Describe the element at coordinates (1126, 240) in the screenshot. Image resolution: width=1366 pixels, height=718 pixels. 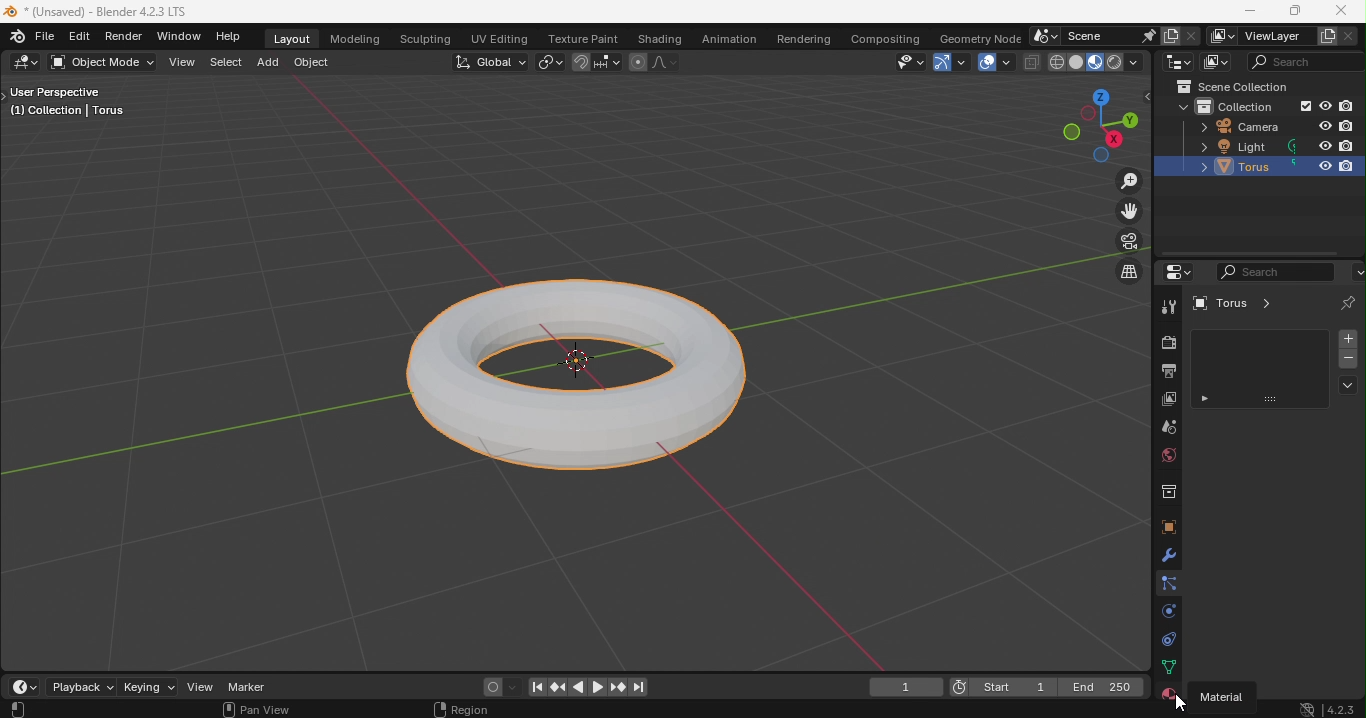
I see `Toggle the camera view` at that location.